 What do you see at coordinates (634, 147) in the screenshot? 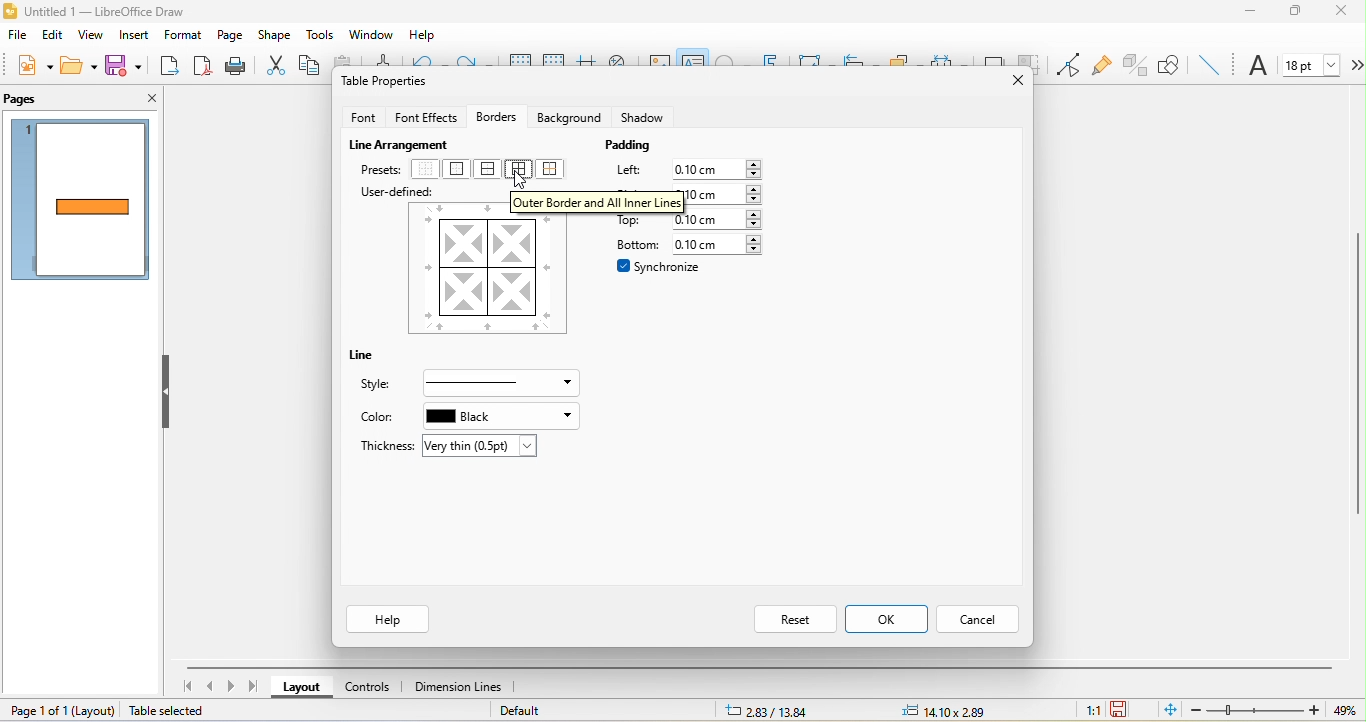
I see `padding` at bounding box center [634, 147].